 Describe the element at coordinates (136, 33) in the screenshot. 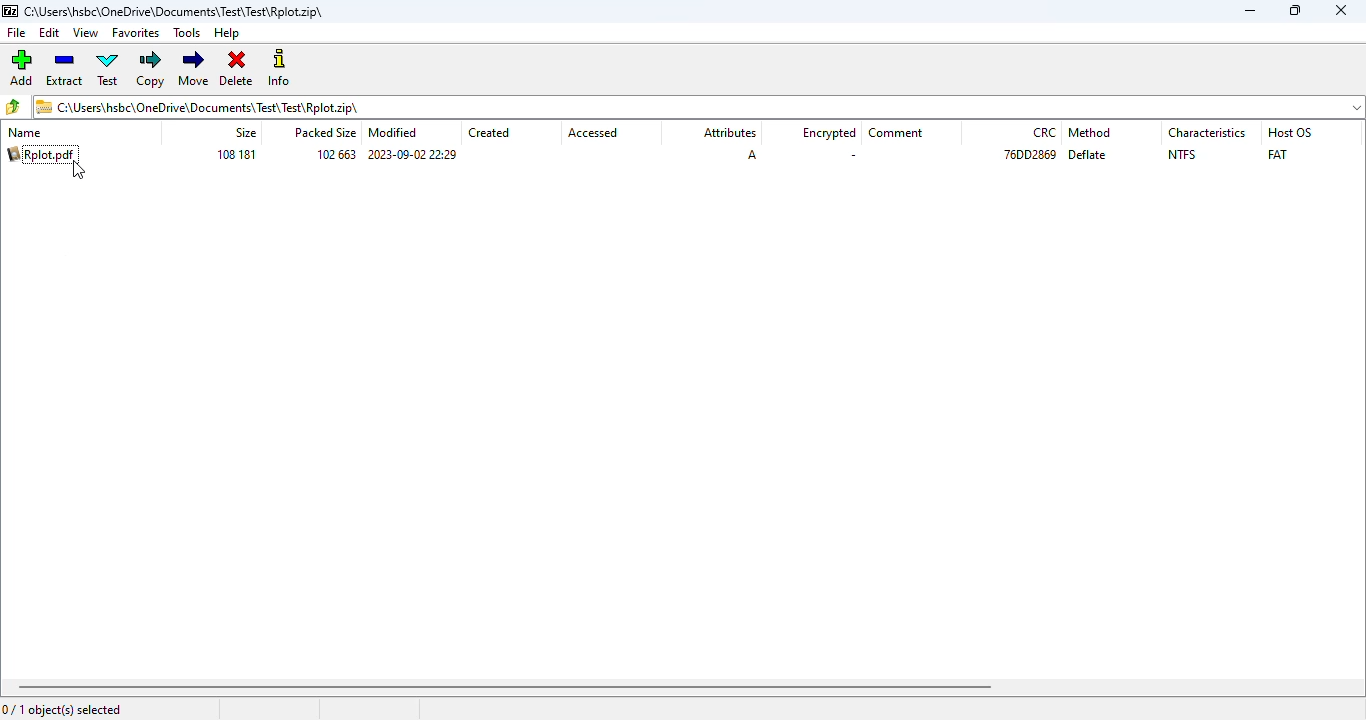

I see `favorites` at that location.